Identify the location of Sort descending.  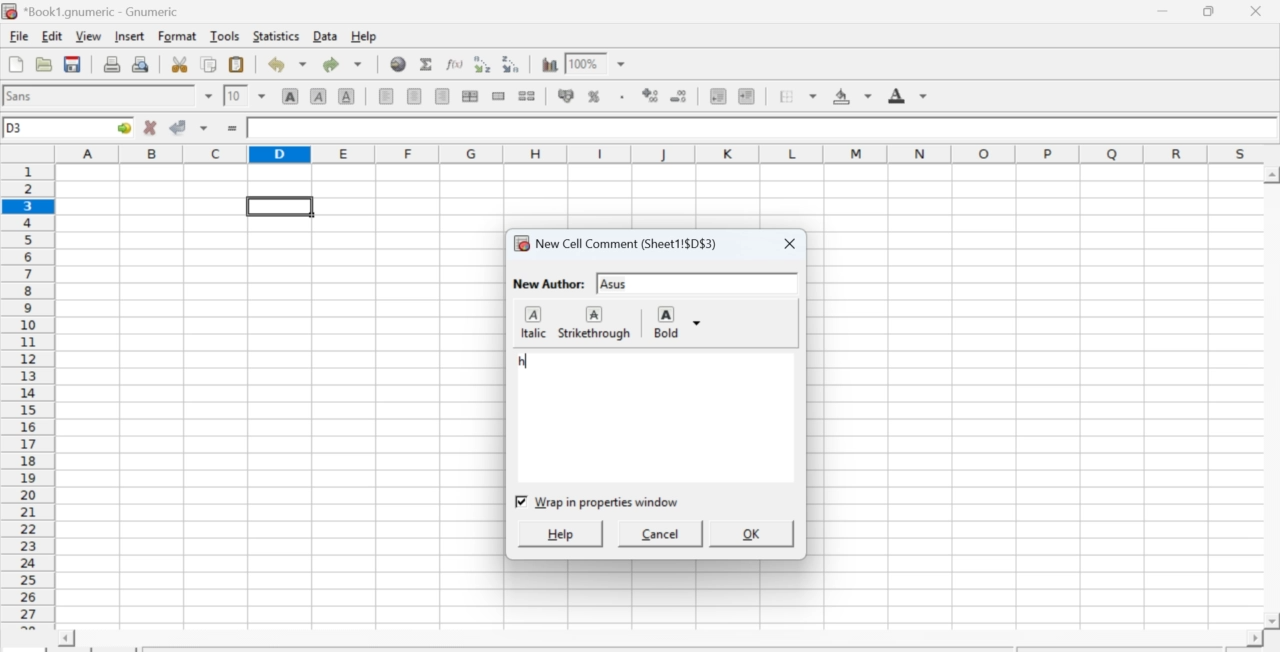
(512, 66).